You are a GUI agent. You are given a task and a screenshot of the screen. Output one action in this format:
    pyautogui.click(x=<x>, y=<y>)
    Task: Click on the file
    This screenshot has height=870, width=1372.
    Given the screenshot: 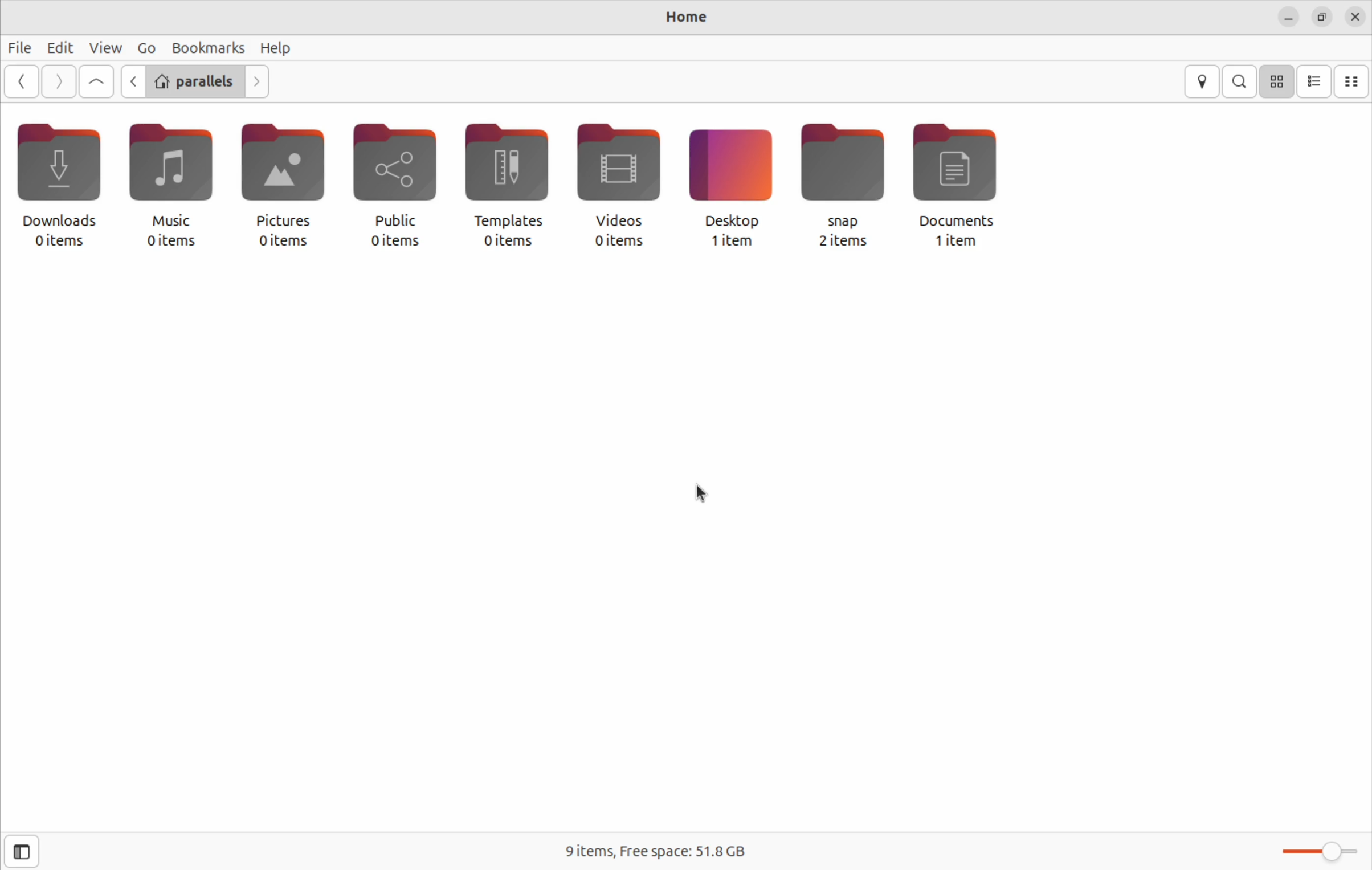 What is the action you would take?
    pyautogui.click(x=22, y=49)
    